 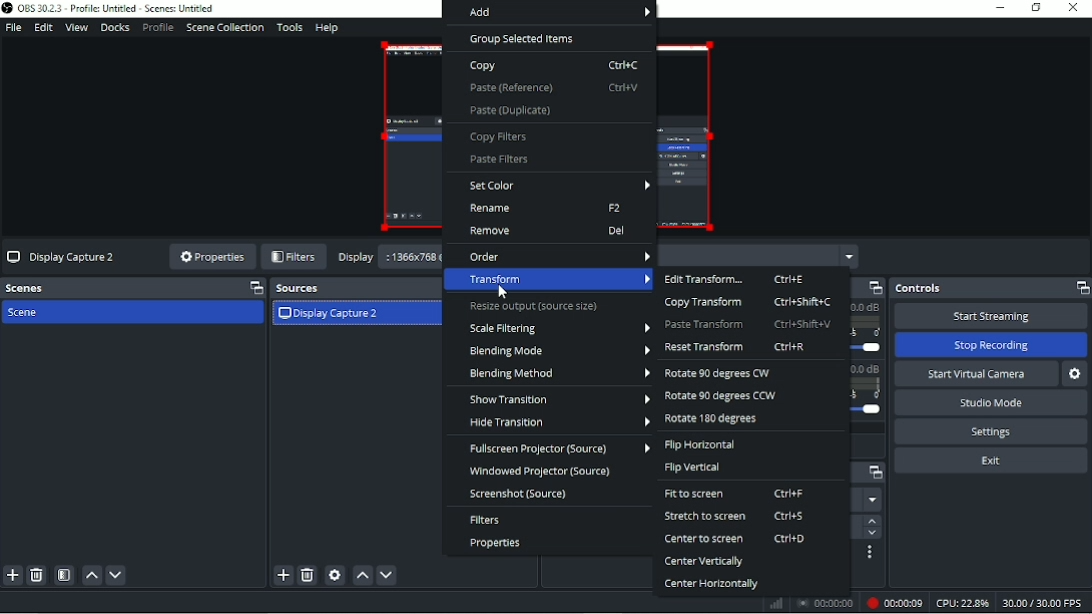 I want to click on Properties, so click(x=496, y=543).